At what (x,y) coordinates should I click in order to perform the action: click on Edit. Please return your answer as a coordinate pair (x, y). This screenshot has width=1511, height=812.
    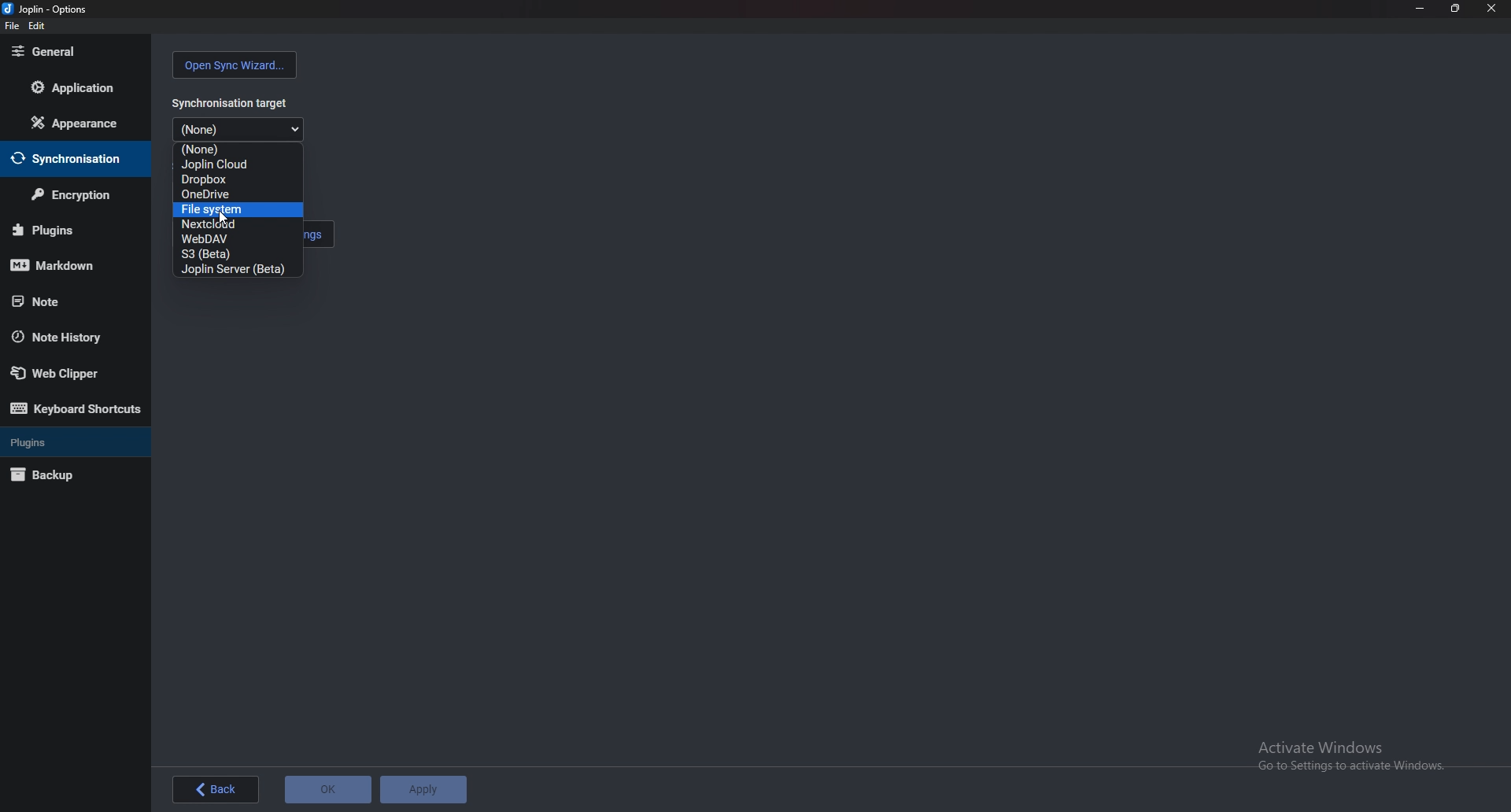
    Looking at the image, I should click on (35, 27).